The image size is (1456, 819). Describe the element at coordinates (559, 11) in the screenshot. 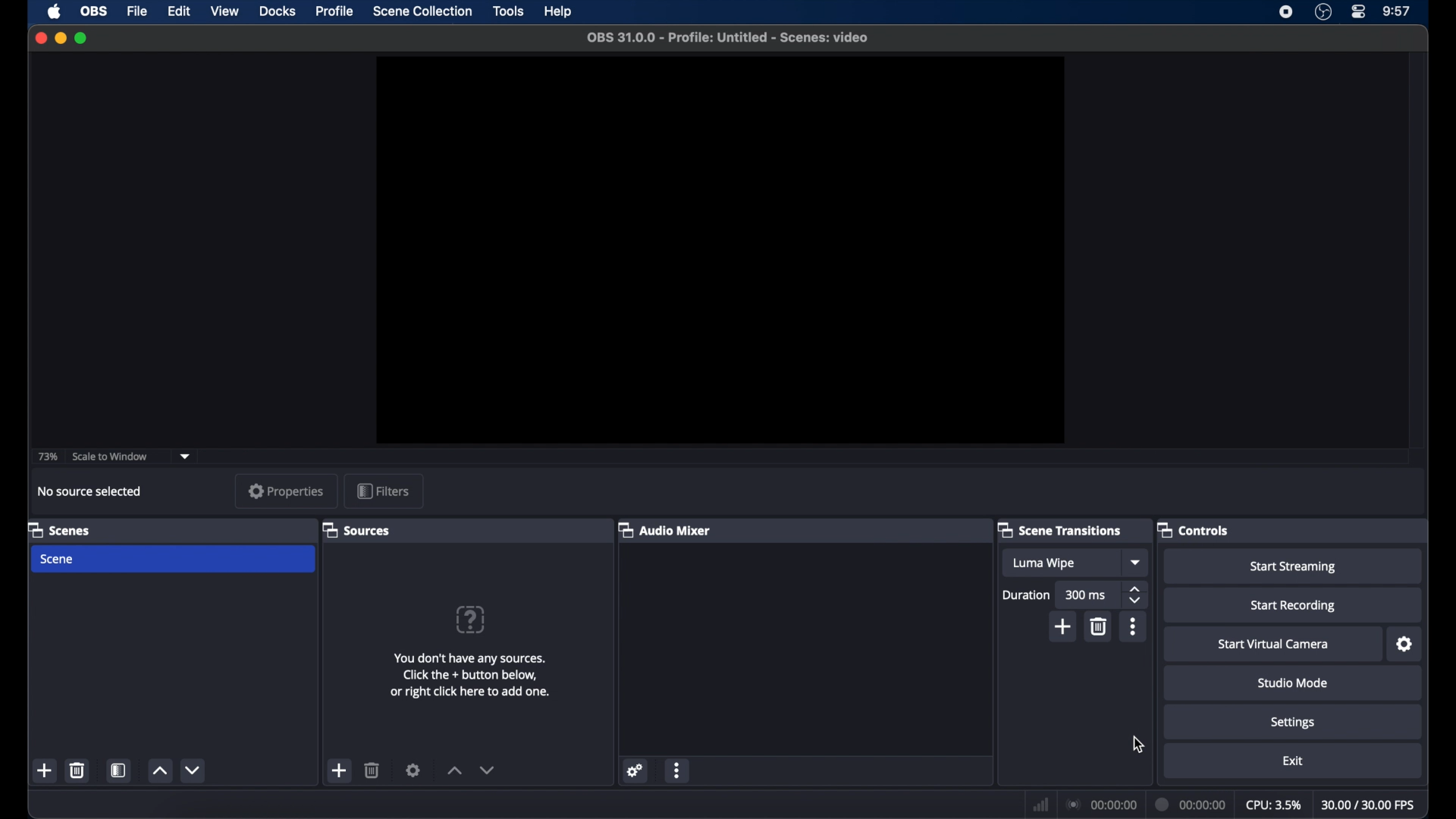

I see `help` at that location.